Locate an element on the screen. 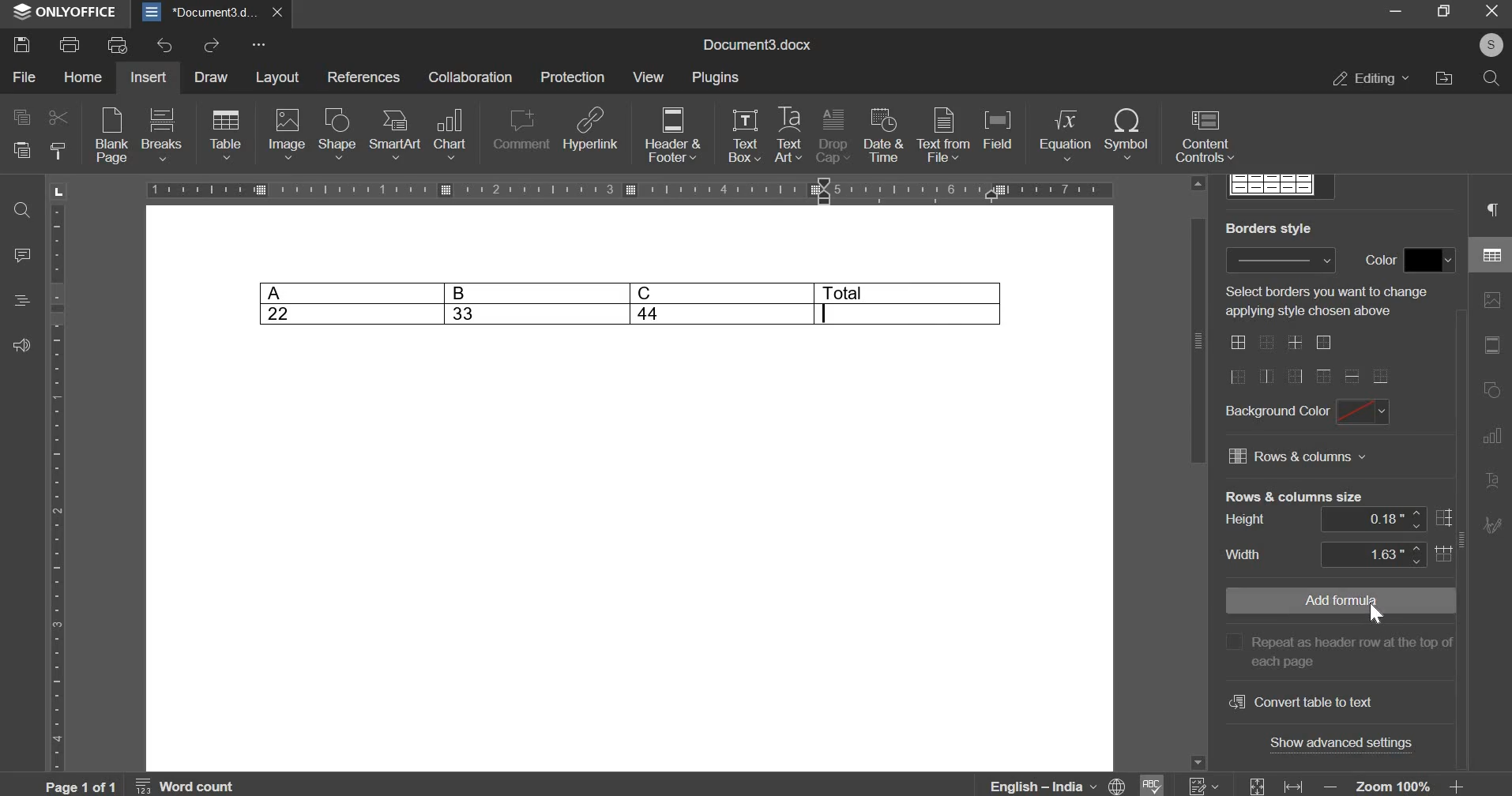 The height and width of the screenshot is (796, 1512). fit to width is located at coordinates (1293, 785).